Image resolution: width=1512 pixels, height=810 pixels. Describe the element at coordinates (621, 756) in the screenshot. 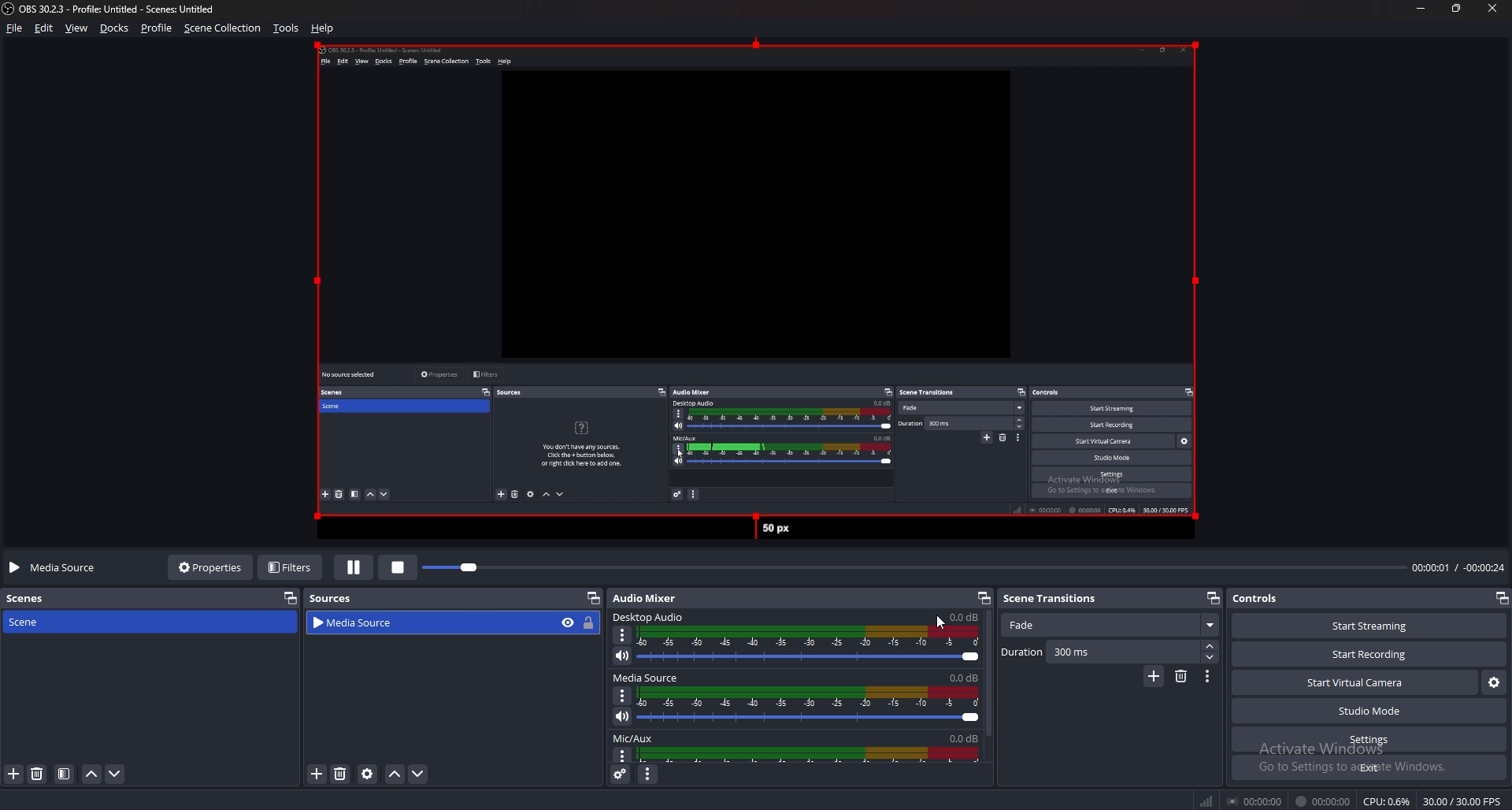

I see `mic/aux properties` at that location.